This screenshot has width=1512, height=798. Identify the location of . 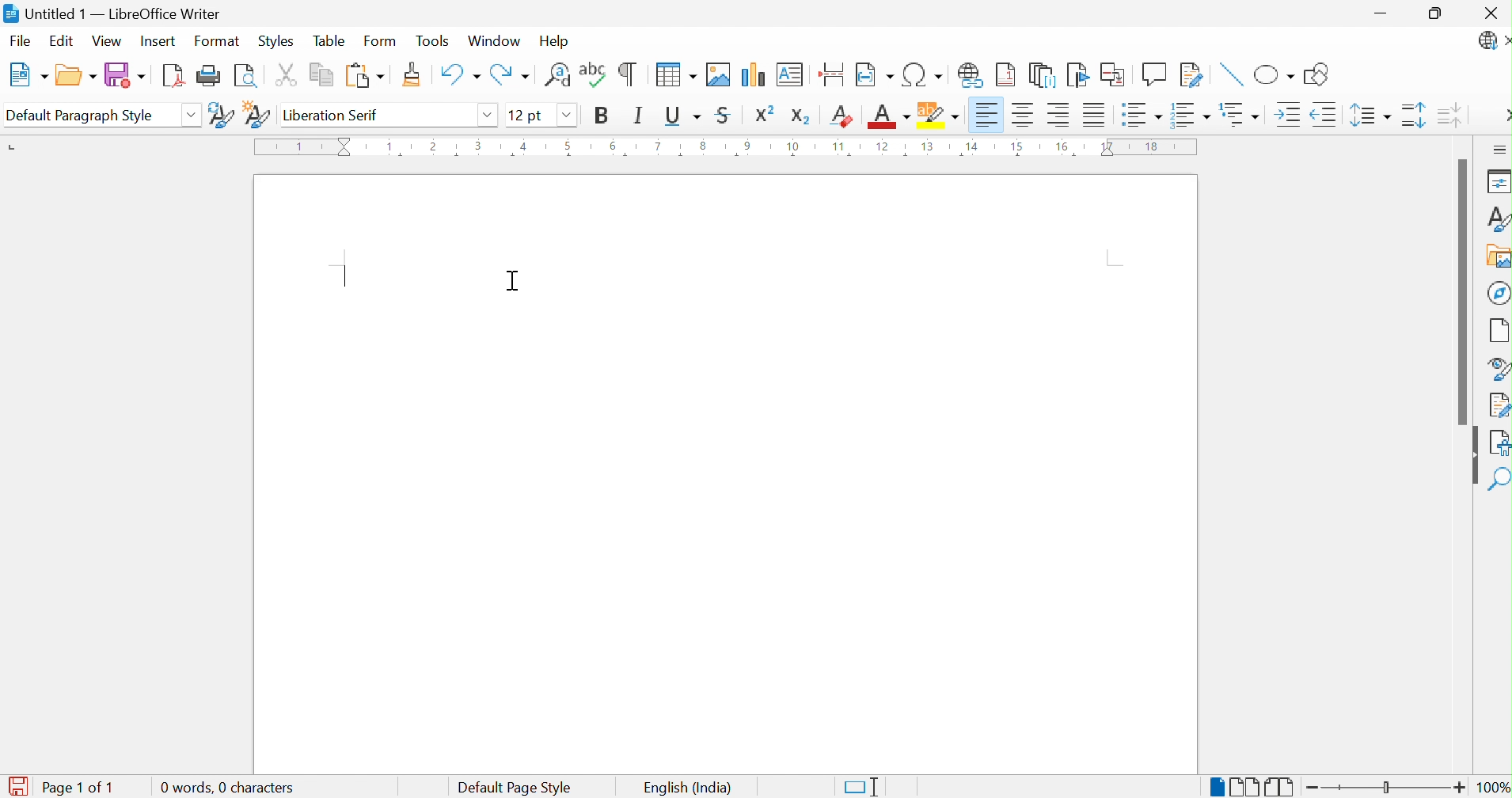
(508, 74).